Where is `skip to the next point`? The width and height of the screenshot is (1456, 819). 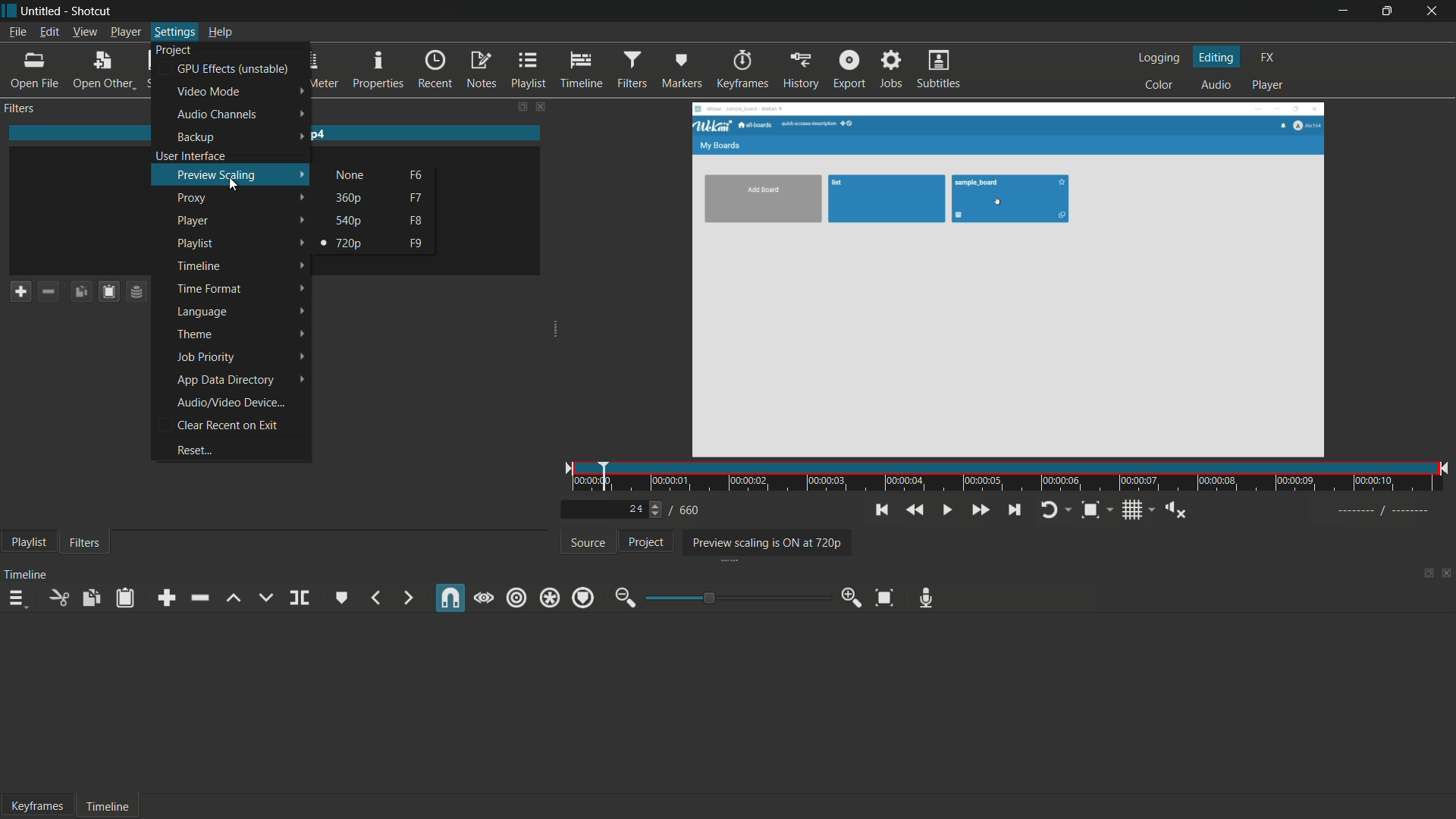
skip to the next point is located at coordinates (1016, 510).